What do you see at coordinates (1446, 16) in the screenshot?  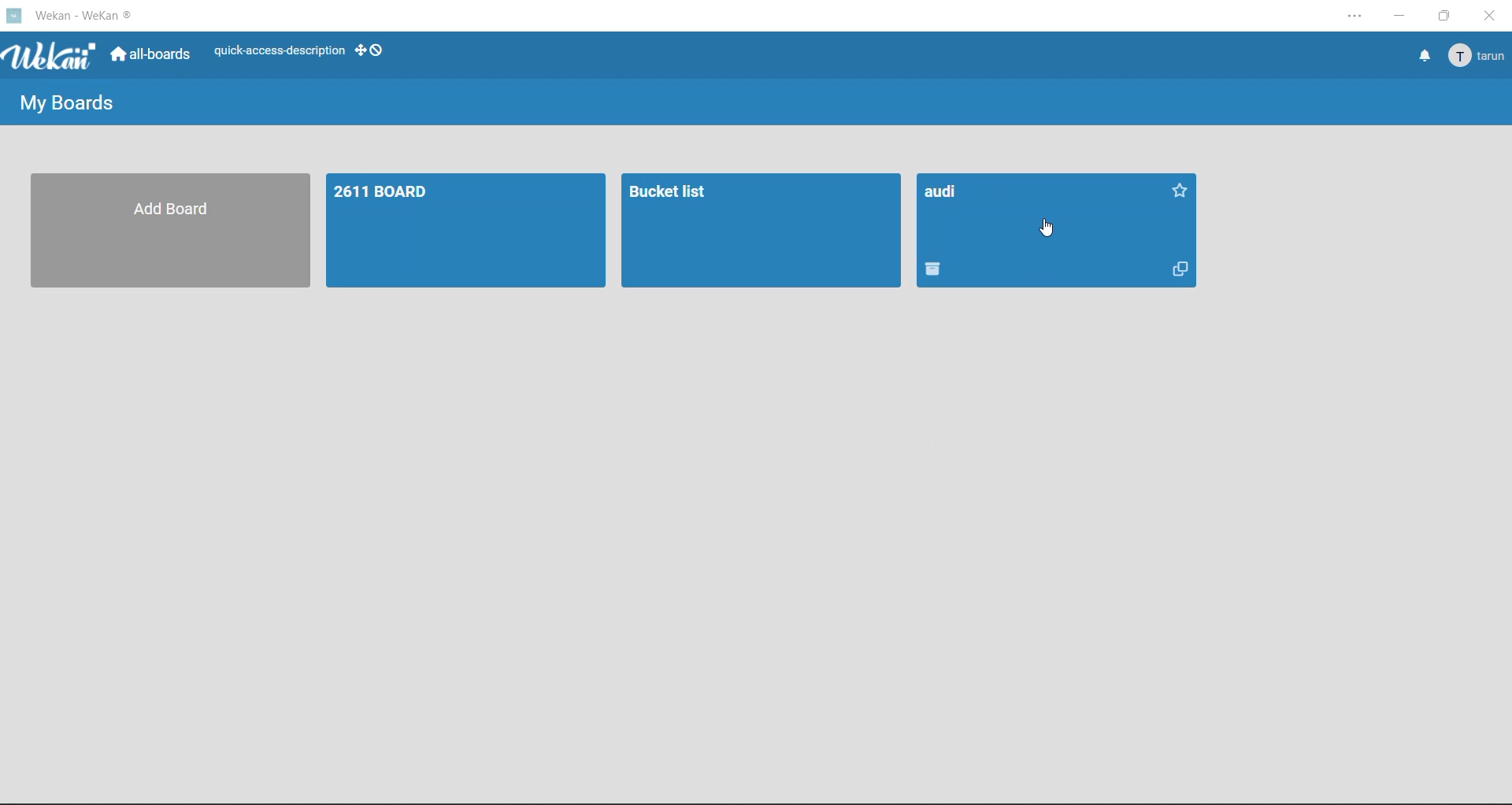 I see `maximize` at bounding box center [1446, 16].